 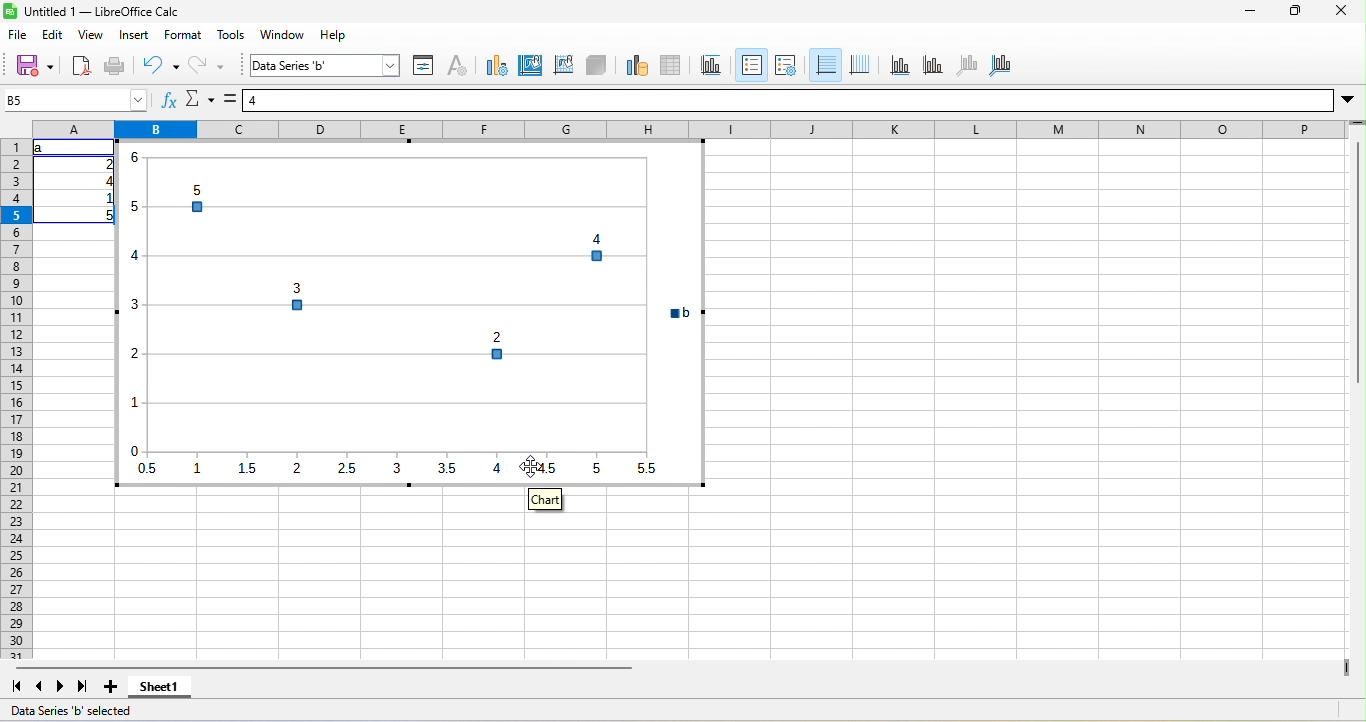 I want to click on export directly as pdf, so click(x=81, y=66).